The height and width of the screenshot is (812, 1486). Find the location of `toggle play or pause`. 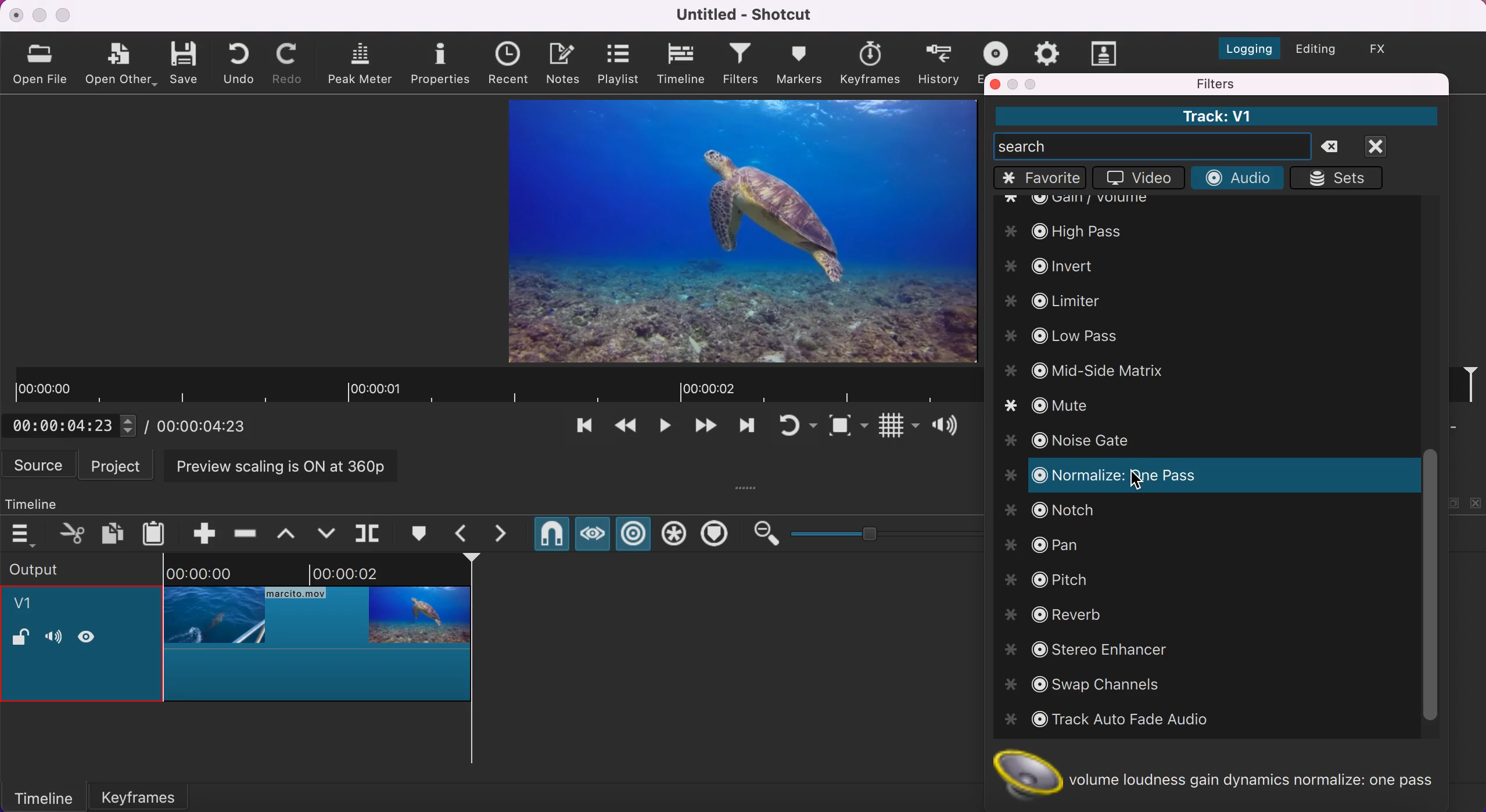

toggle play or pause is located at coordinates (665, 429).